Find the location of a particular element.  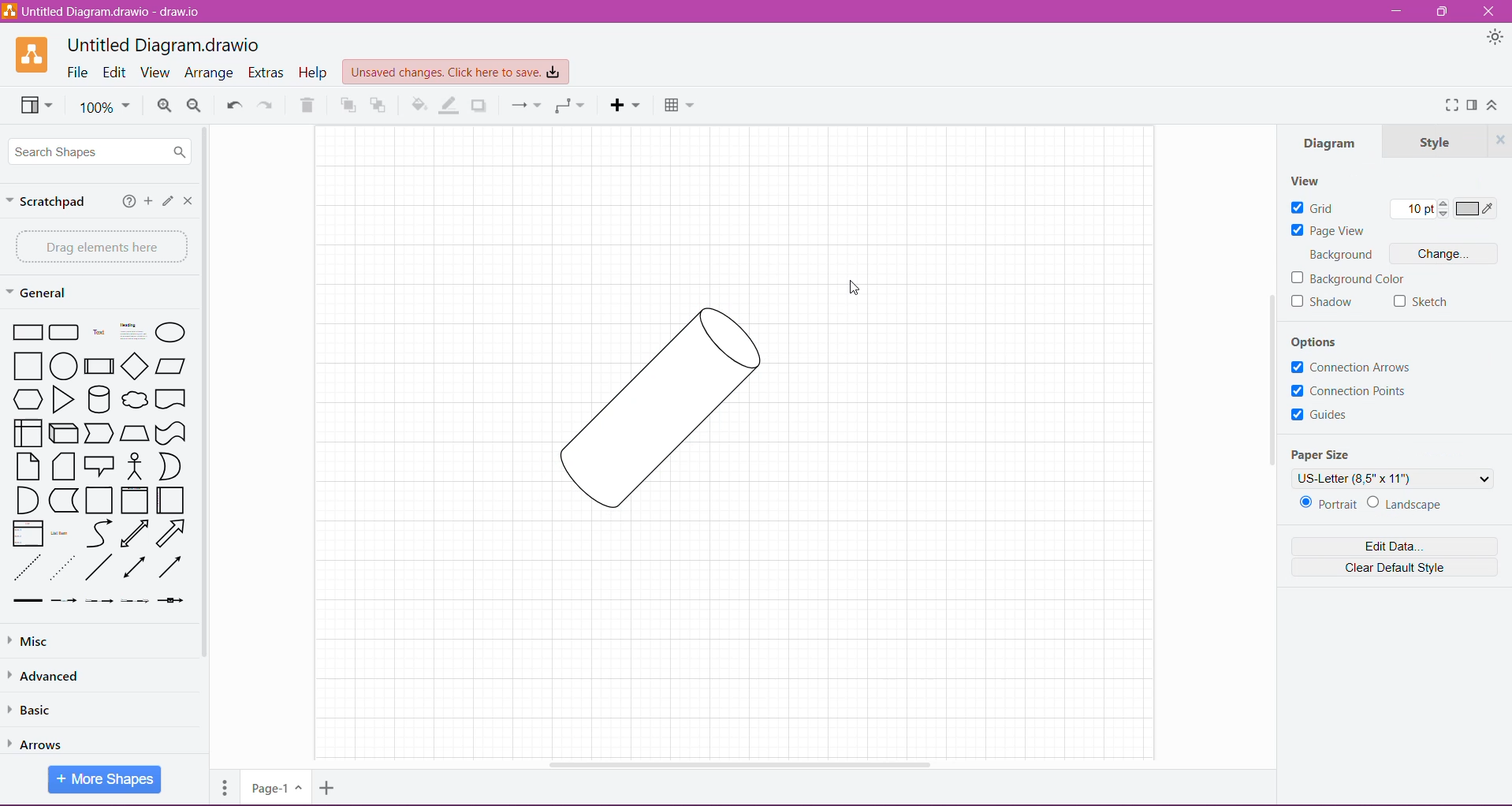

Shadow is located at coordinates (482, 106).